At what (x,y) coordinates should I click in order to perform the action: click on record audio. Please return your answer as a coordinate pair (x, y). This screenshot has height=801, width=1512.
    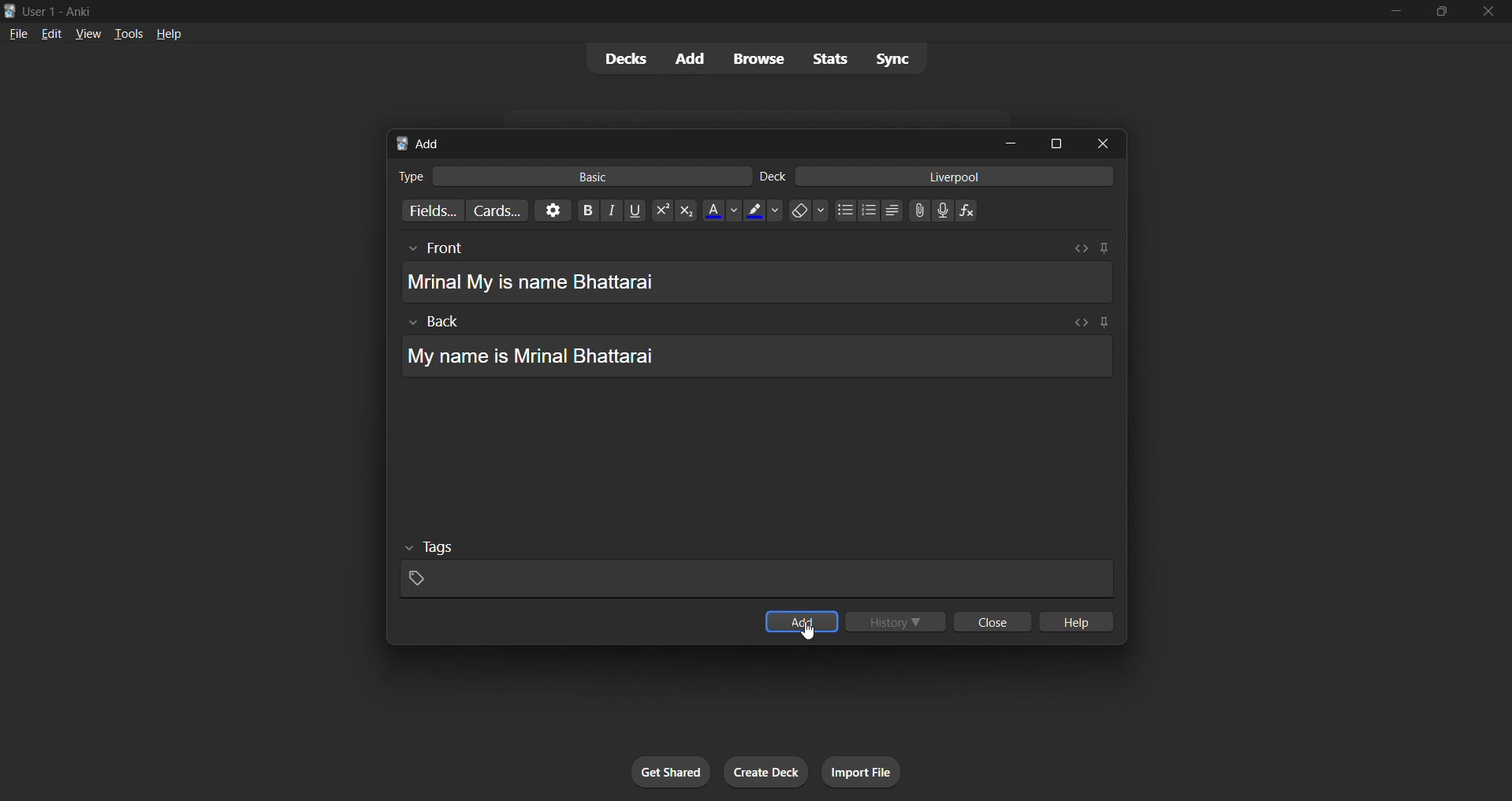
    Looking at the image, I should click on (944, 210).